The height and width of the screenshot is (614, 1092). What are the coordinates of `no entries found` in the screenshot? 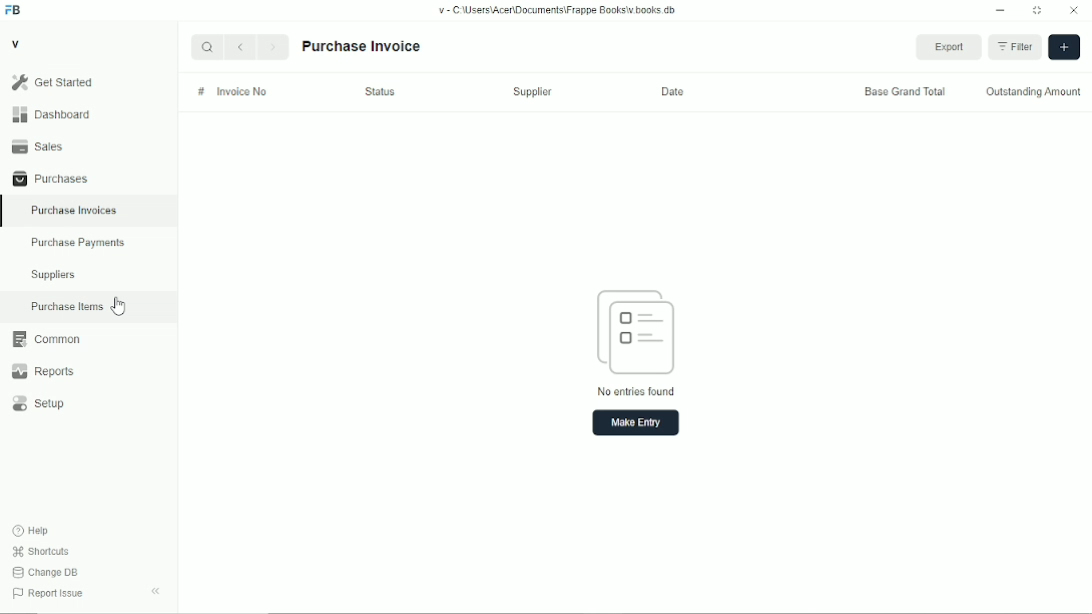 It's located at (636, 391).